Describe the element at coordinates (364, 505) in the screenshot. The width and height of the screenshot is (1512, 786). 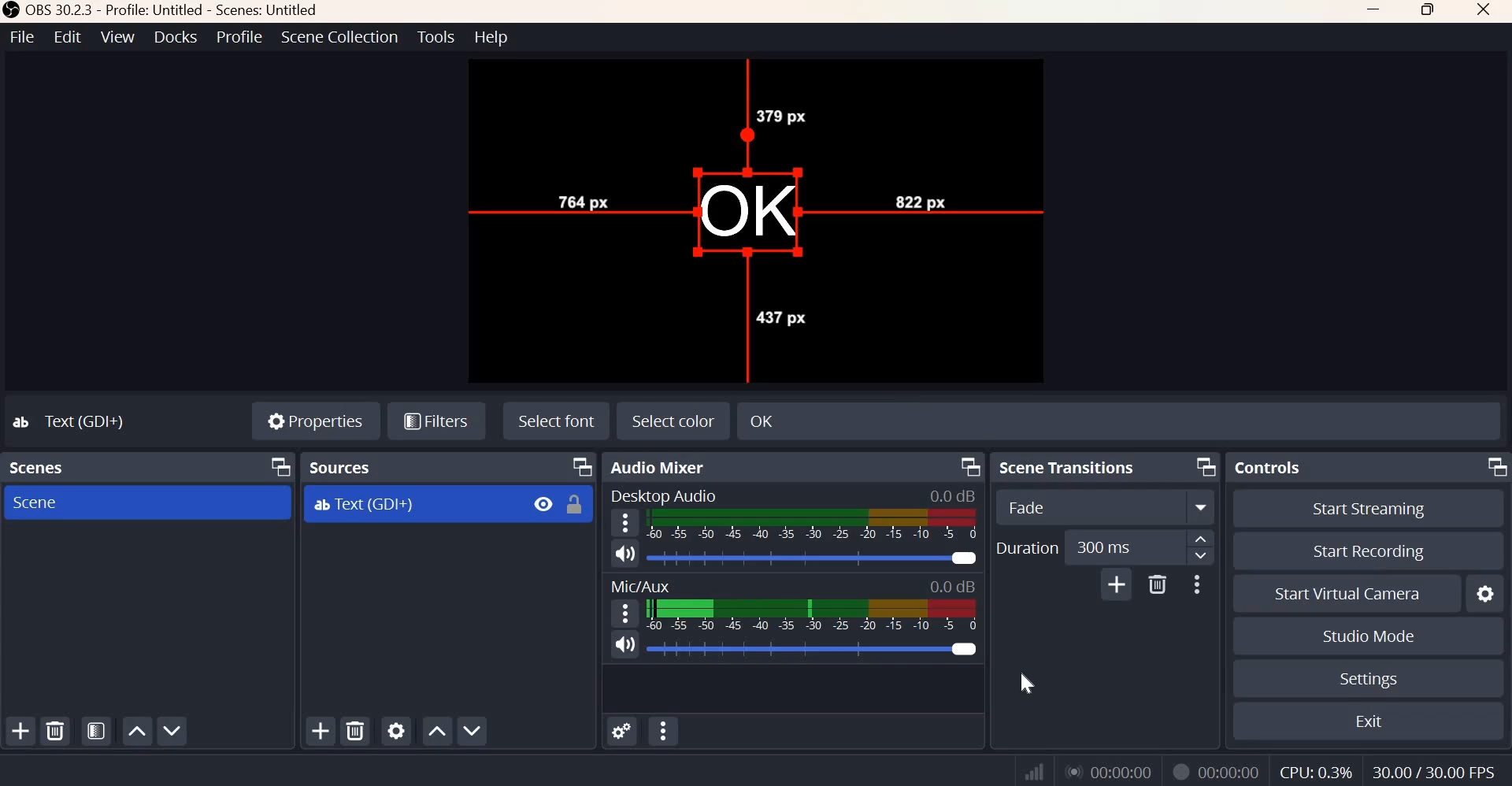
I see `Text (GDI+)` at that location.